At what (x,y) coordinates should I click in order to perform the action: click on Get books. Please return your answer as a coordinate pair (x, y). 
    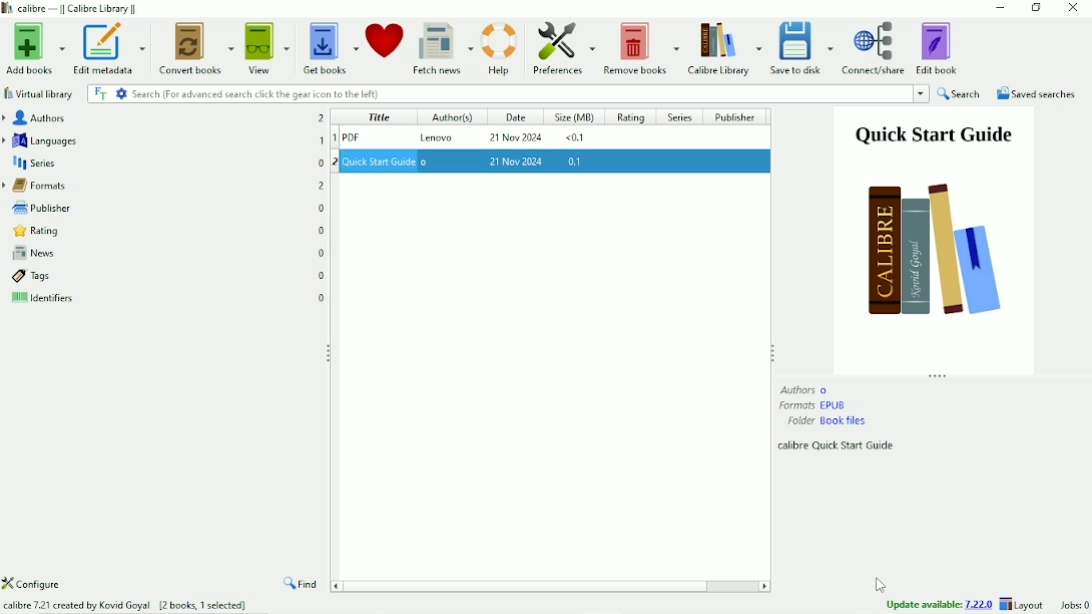
    Looking at the image, I should click on (331, 45).